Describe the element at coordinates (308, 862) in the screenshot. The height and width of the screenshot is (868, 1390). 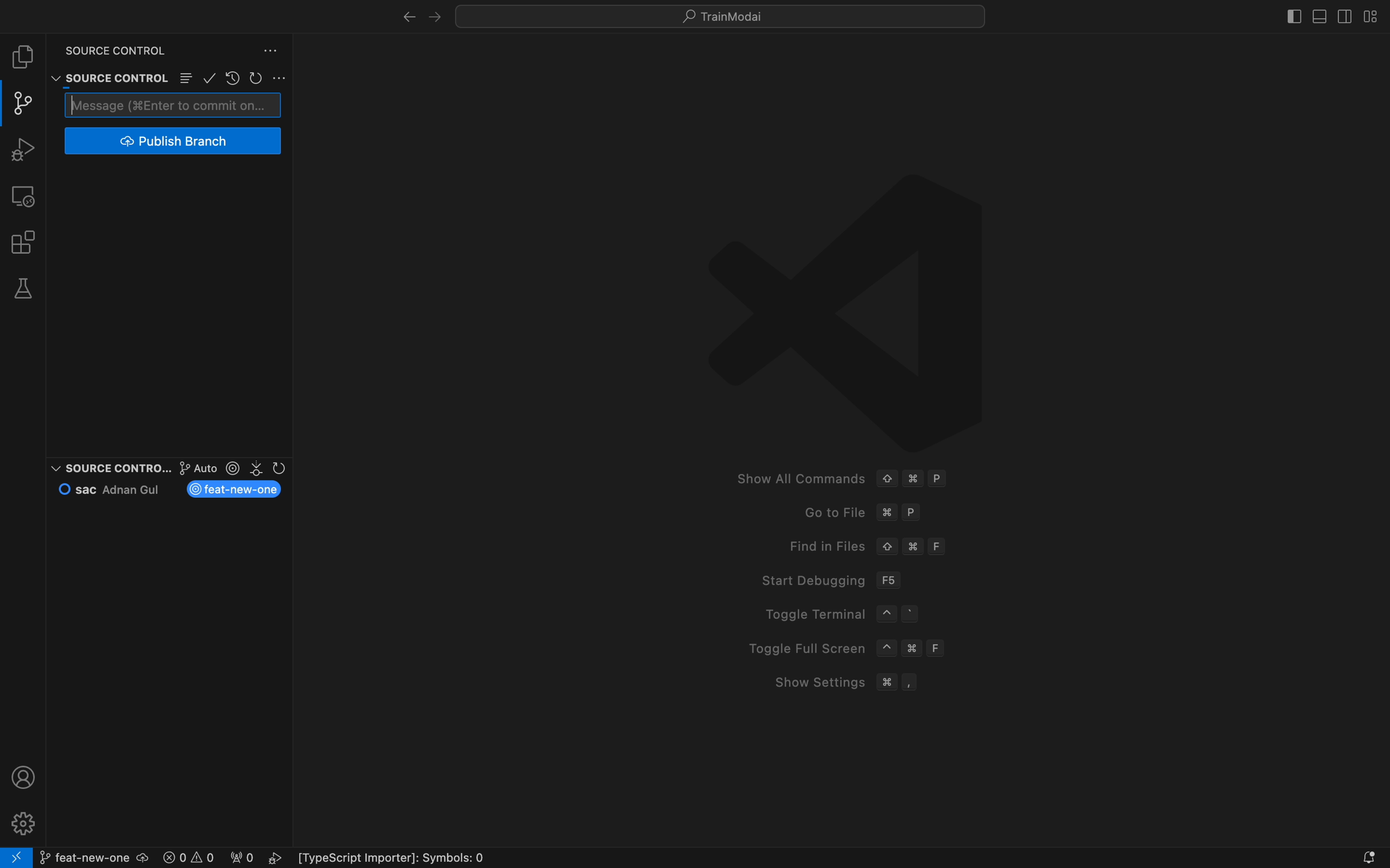
I see `error logs` at that location.